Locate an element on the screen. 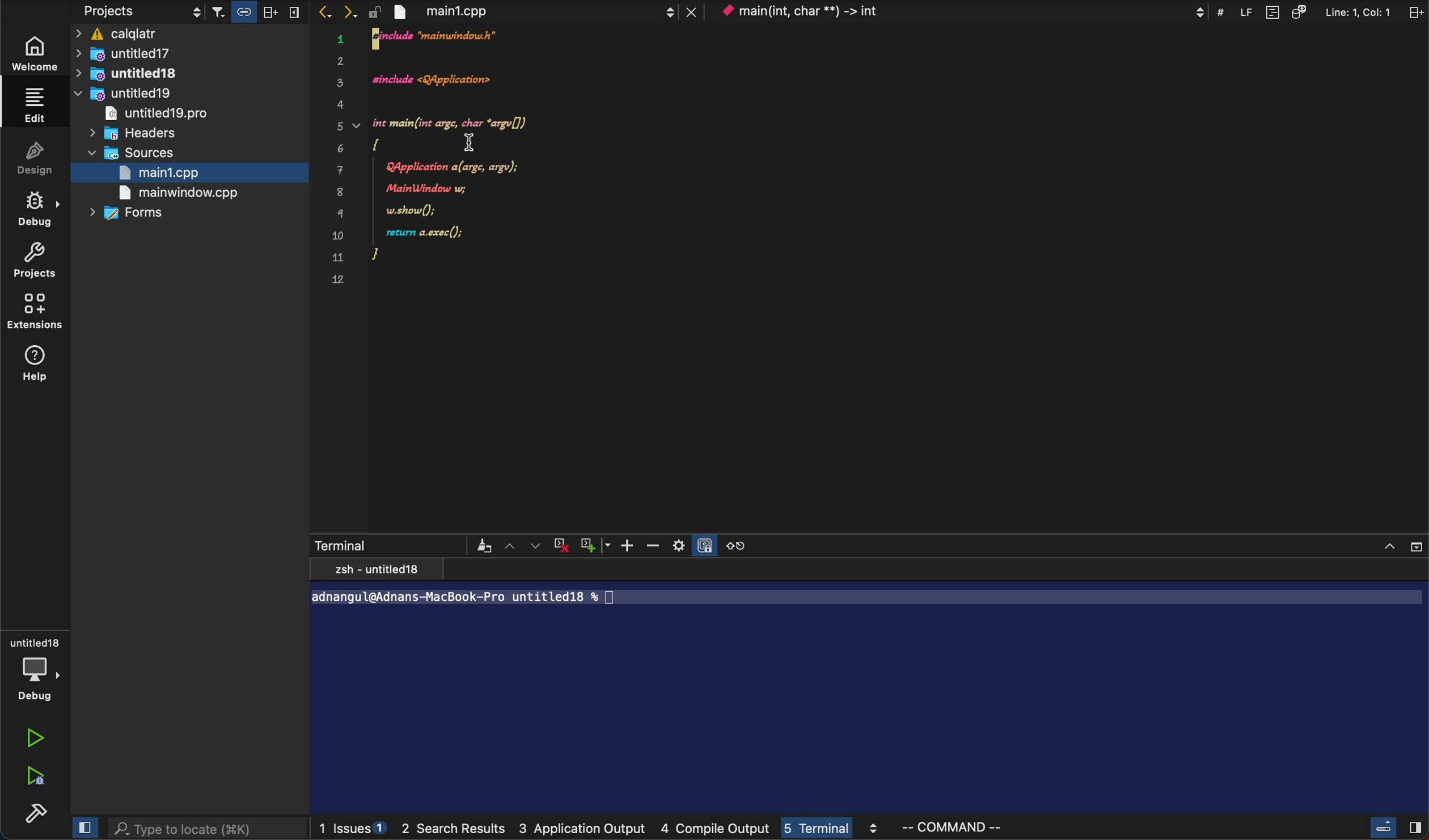 The width and height of the screenshot is (1429, 840). terminal is located at coordinates (389, 545).